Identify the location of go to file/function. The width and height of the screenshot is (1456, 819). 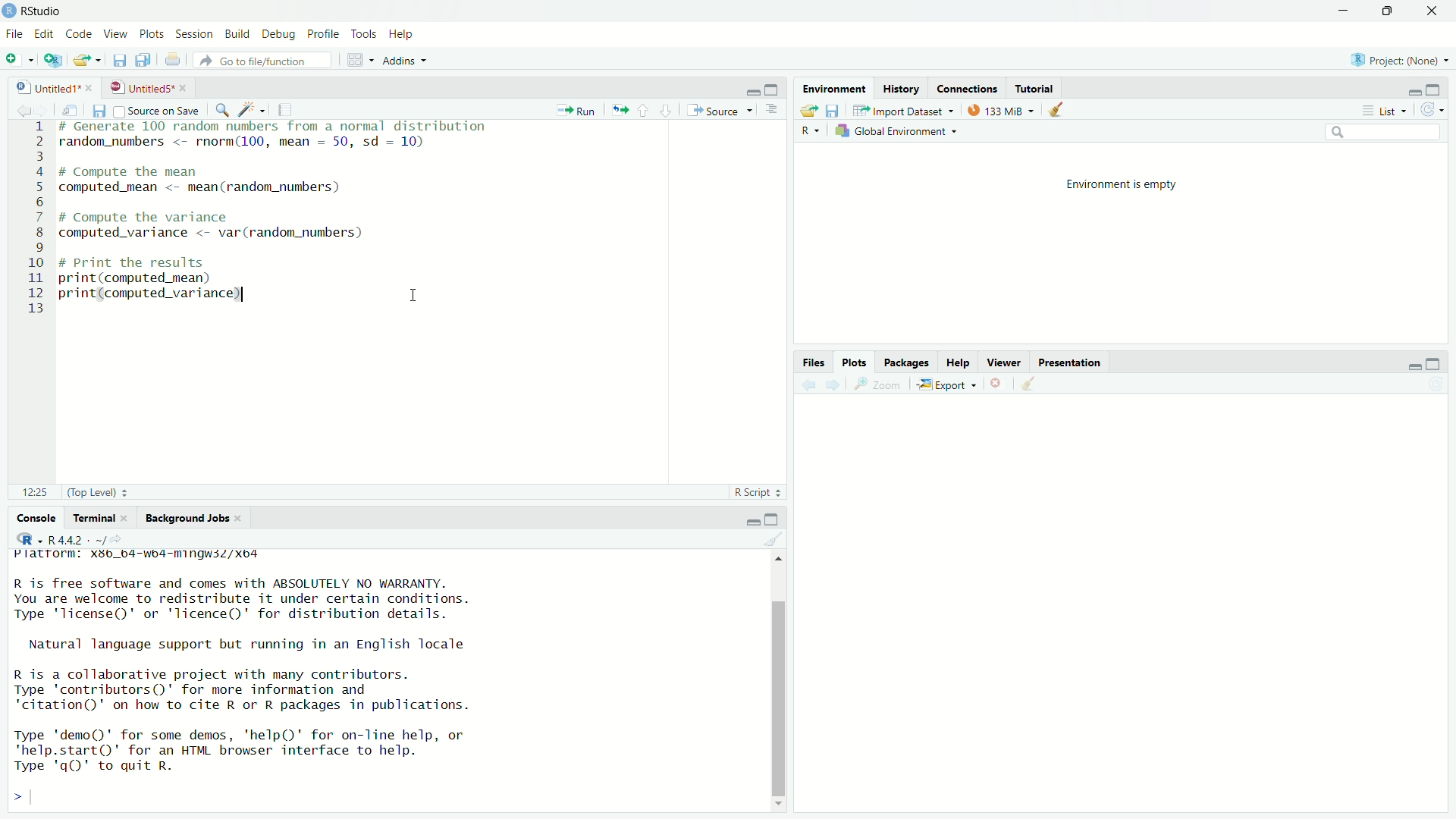
(268, 61).